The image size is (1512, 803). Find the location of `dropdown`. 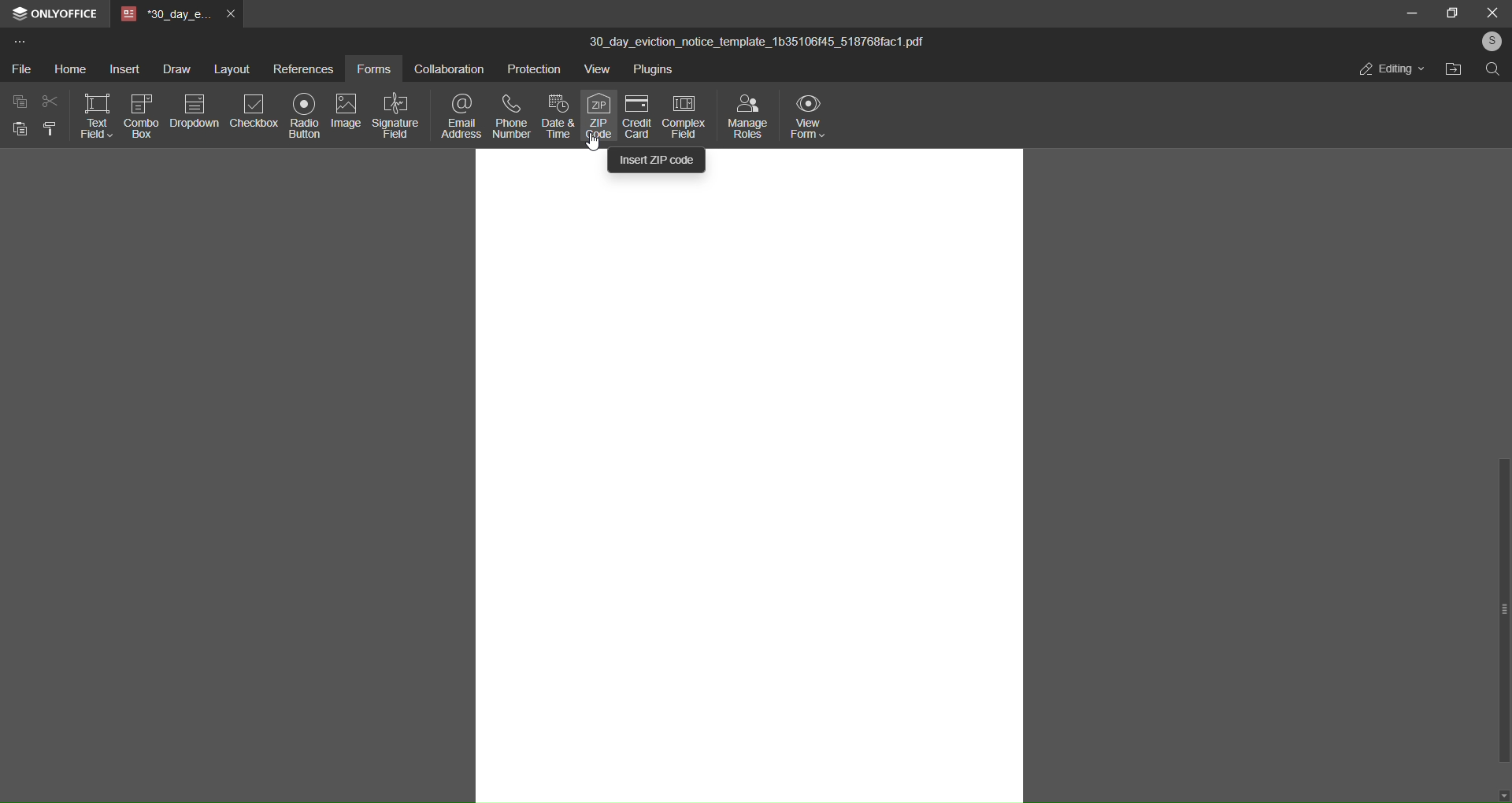

dropdown is located at coordinates (196, 111).